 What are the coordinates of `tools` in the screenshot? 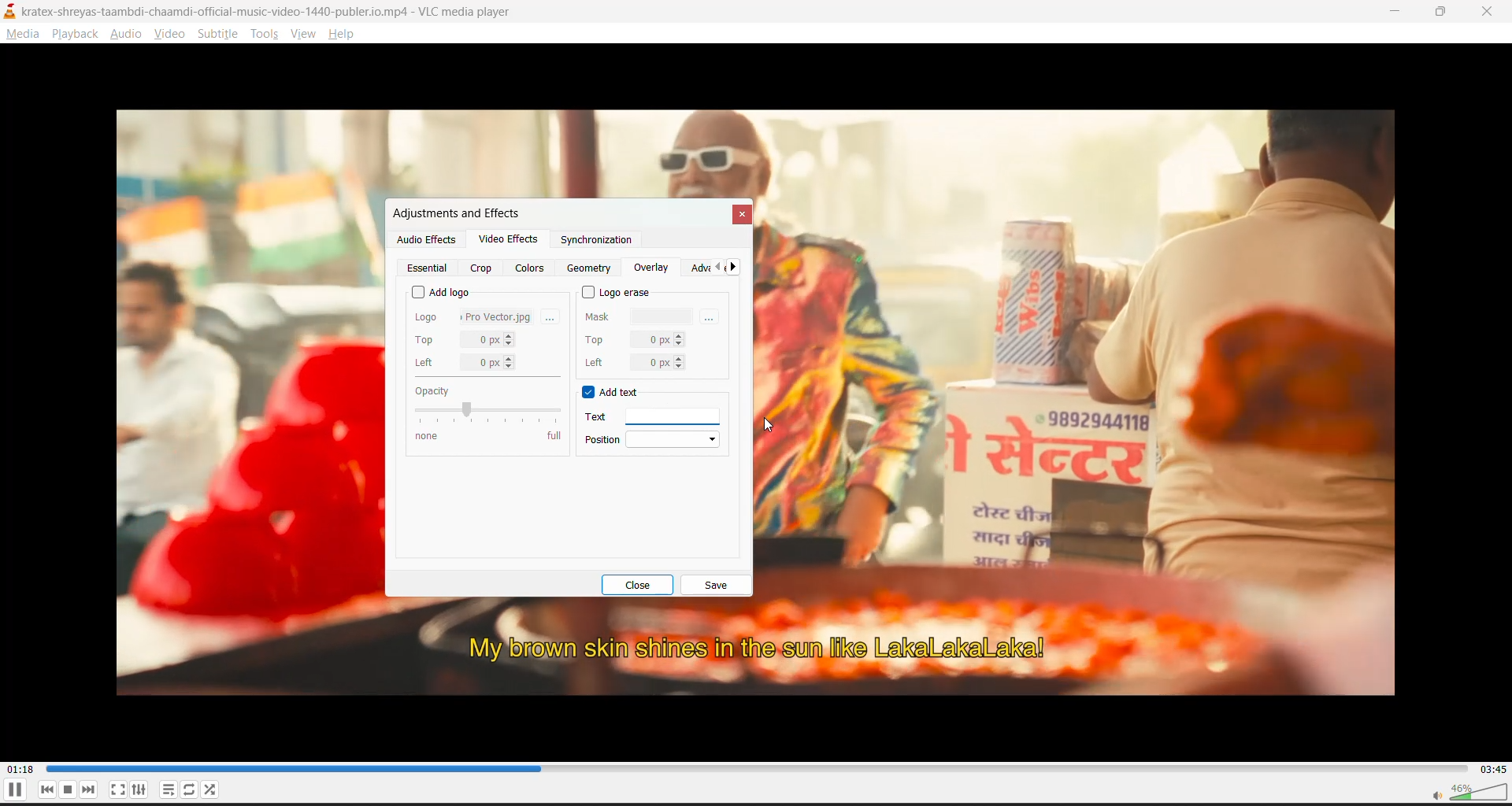 It's located at (262, 35).